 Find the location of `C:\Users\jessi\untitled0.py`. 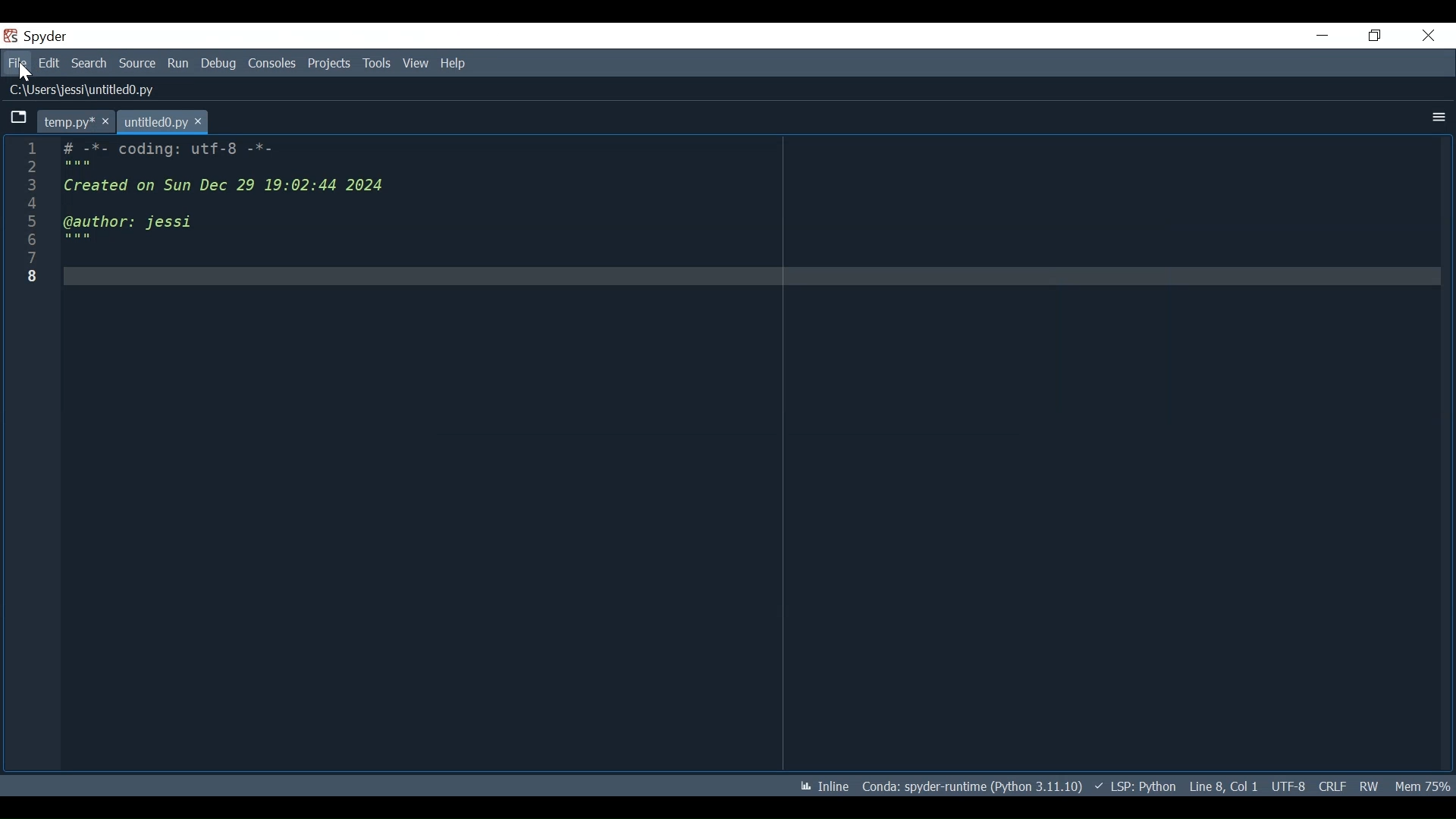

C:\Users\jessi\untitled0.py is located at coordinates (87, 90).